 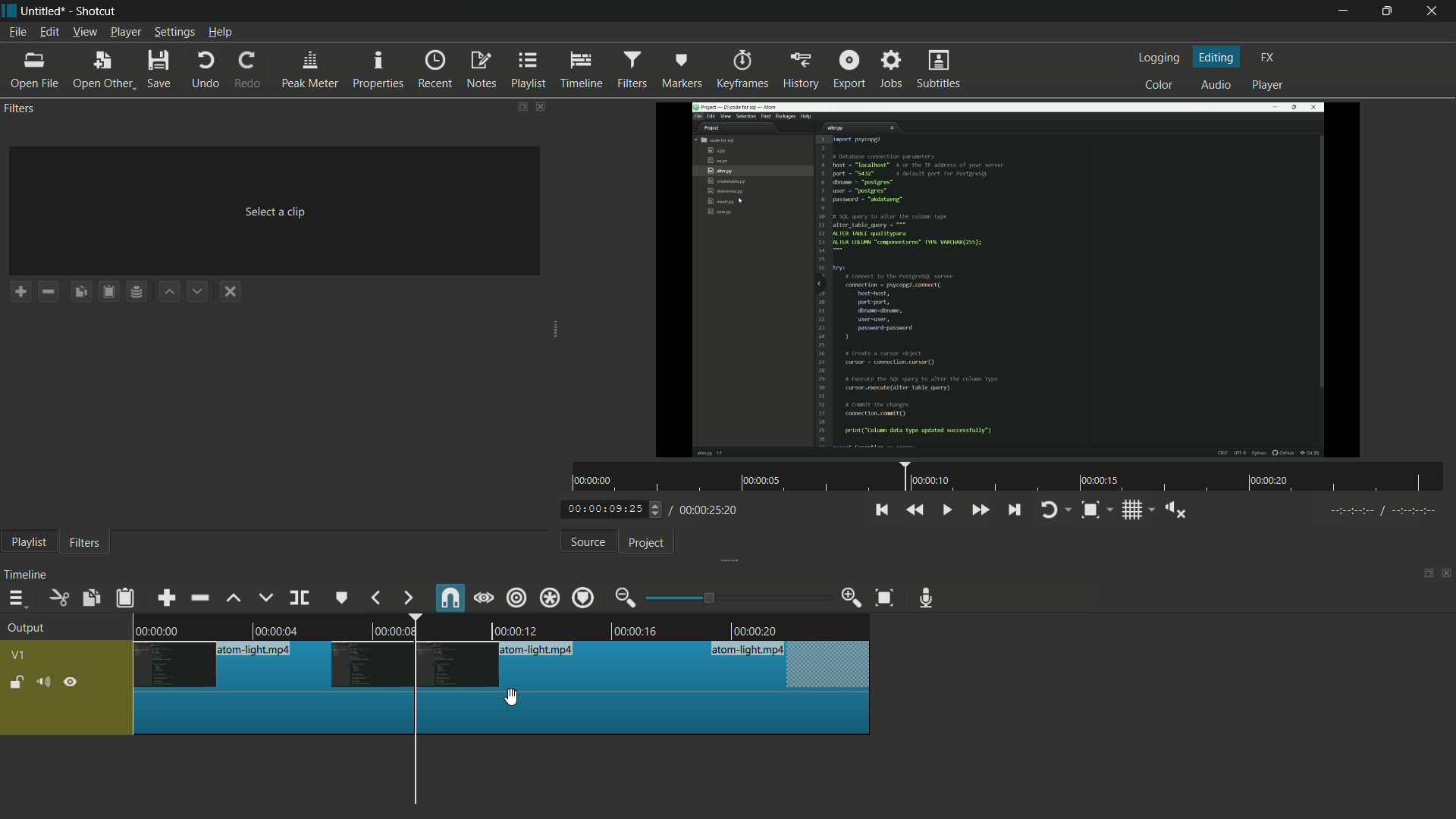 What do you see at coordinates (627, 598) in the screenshot?
I see `zoom out` at bounding box center [627, 598].